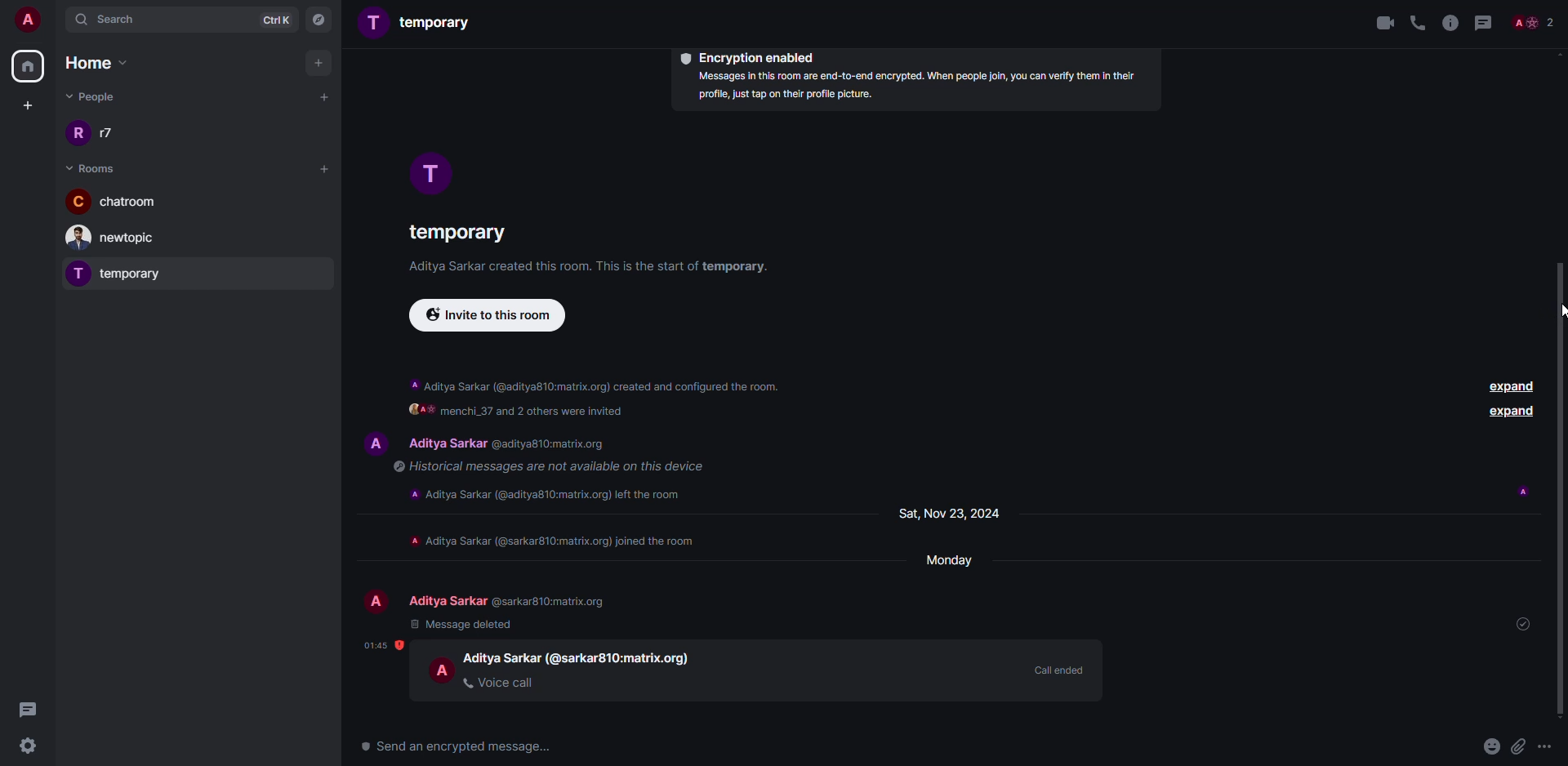 Image resolution: width=1568 pixels, height=766 pixels. What do you see at coordinates (96, 99) in the screenshot?
I see `people` at bounding box center [96, 99].